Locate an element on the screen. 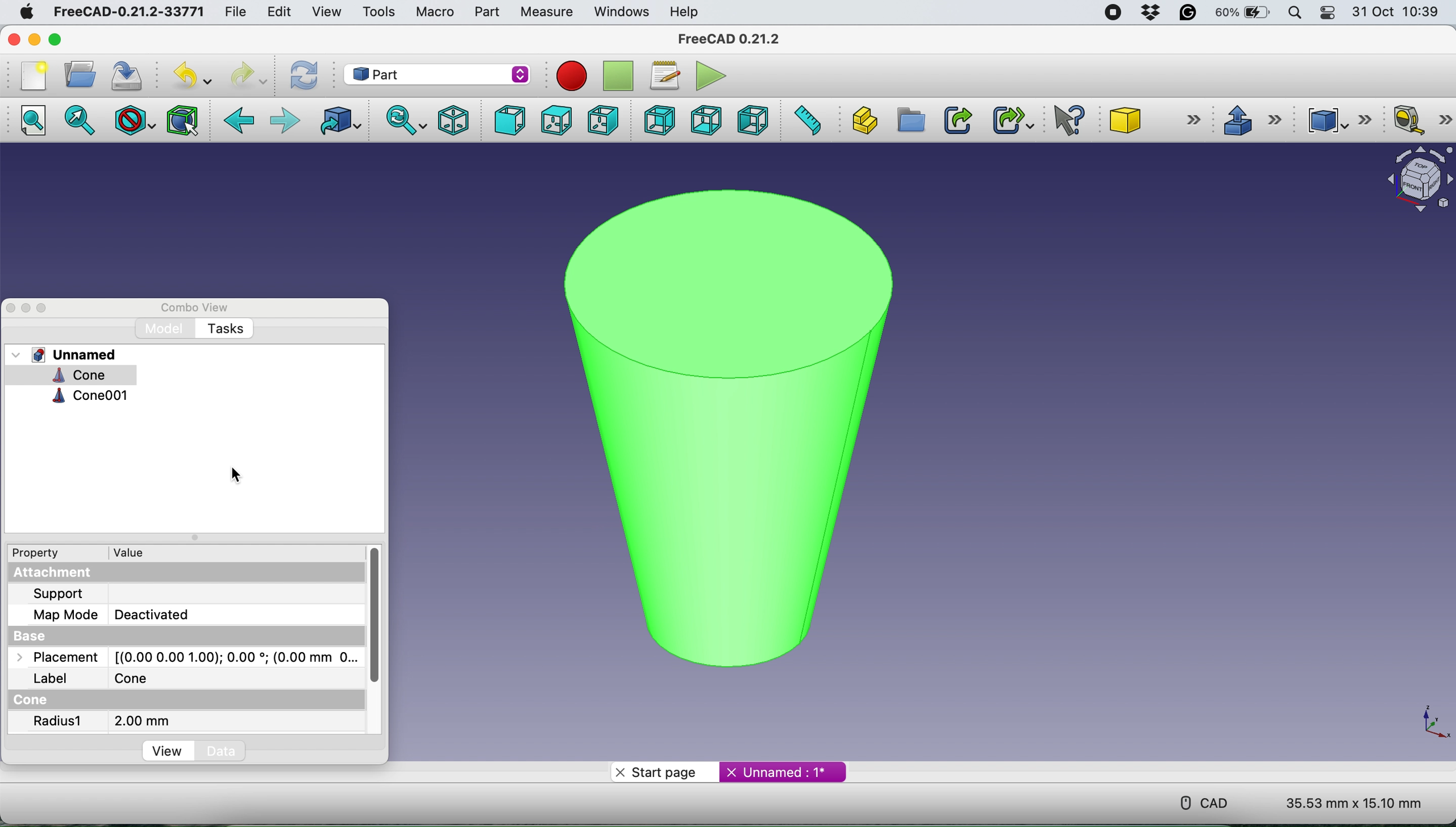  map mode: Deactivated is located at coordinates (124, 615).